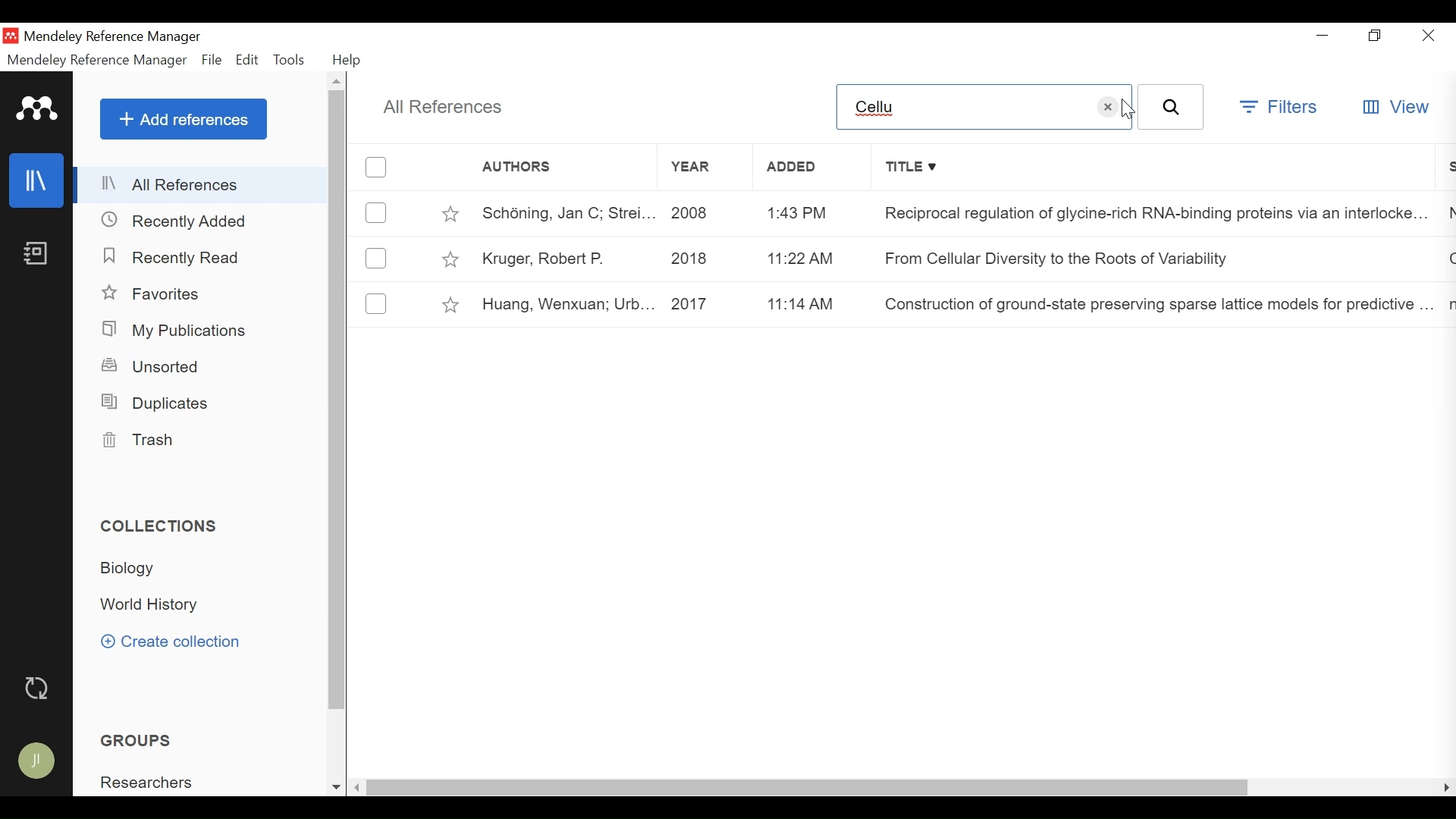  Describe the element at coordinates (1280, 109) in the screenshot. I see `Filter` at that location.